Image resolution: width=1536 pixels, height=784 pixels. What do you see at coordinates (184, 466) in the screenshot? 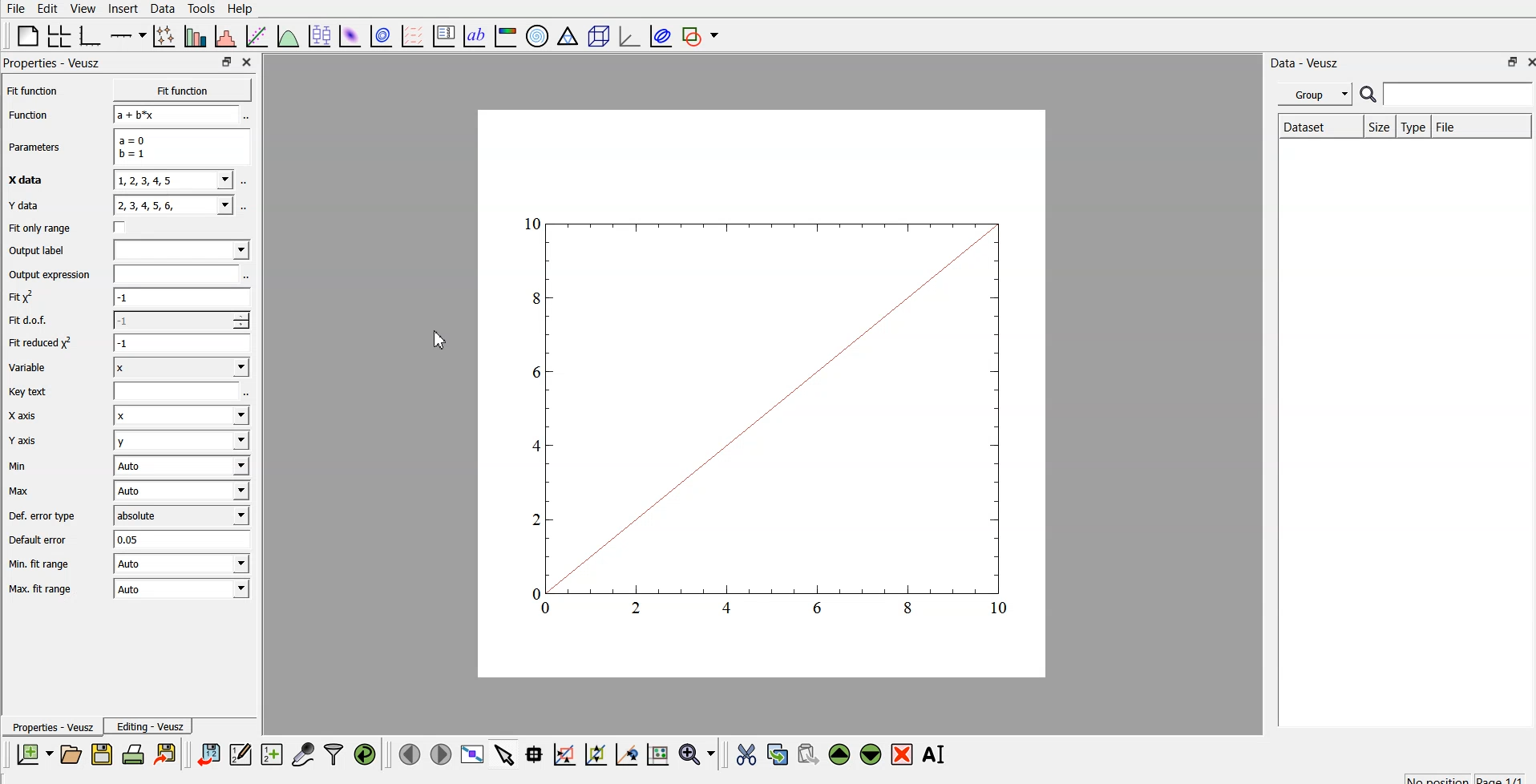
I see `| Auto` at bounding box center [184, 466].